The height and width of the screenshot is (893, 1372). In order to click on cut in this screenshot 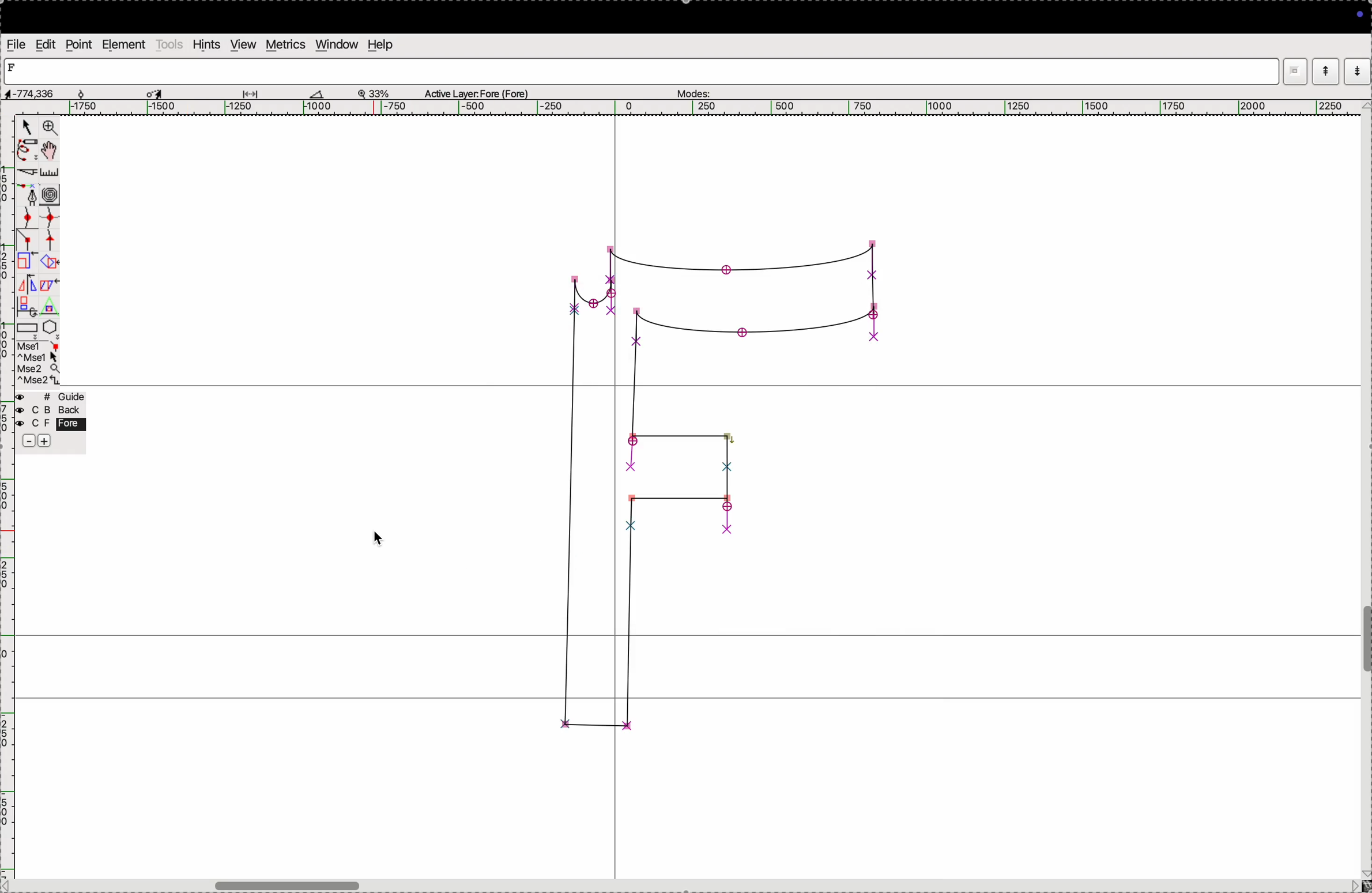, I will do `click(28, 174)`.